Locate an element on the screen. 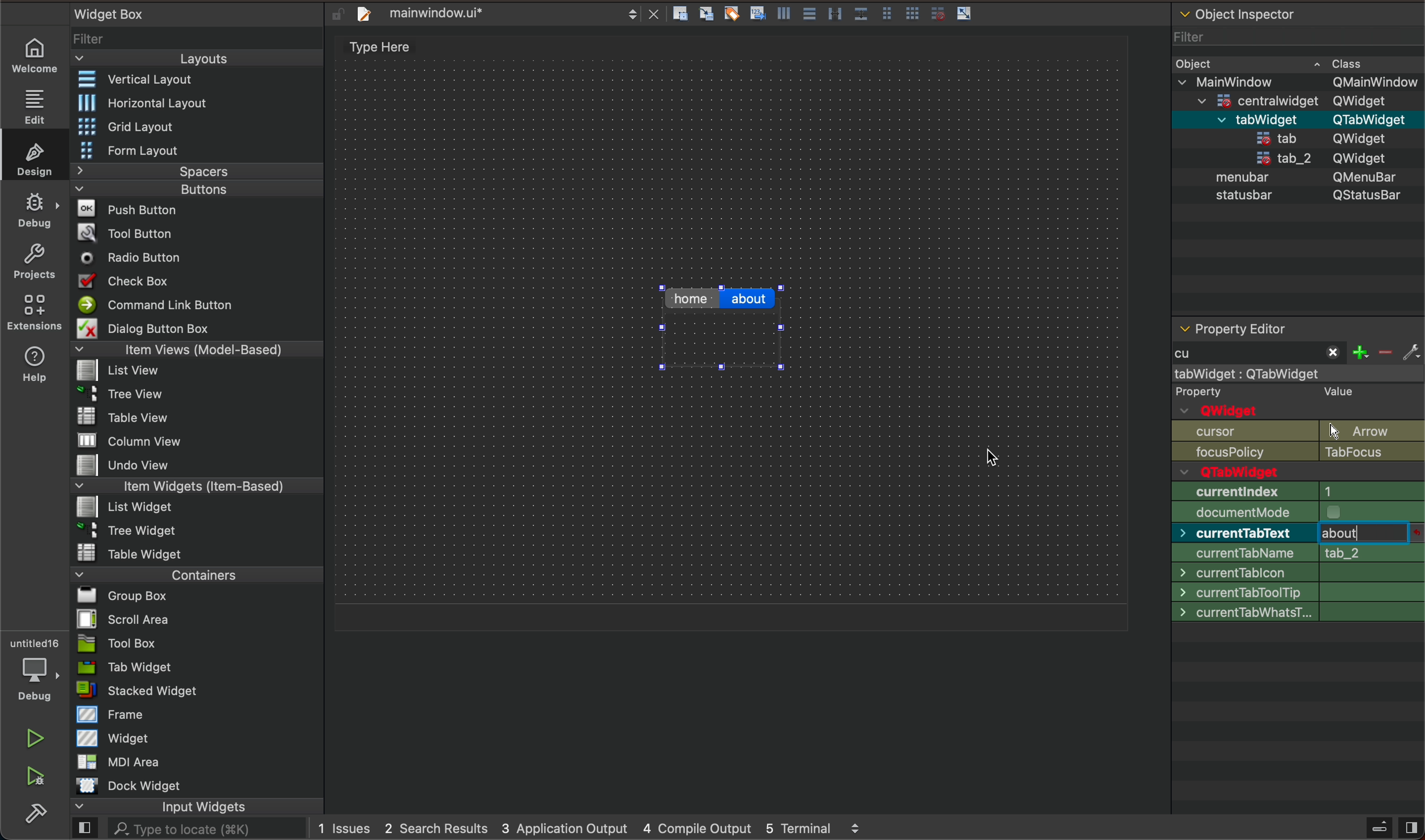  Table Widget is located at coordinates (123, 552).